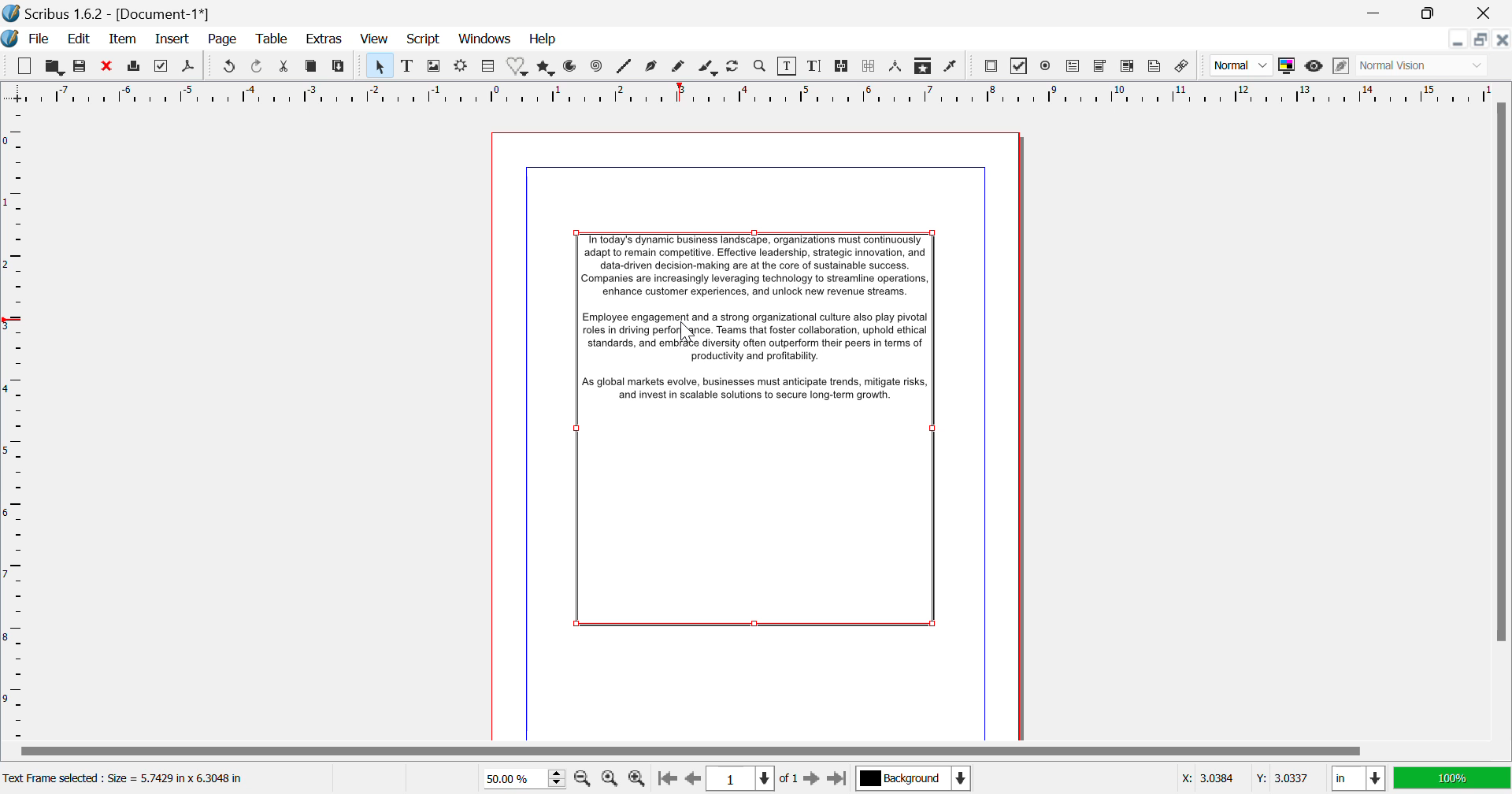 The image size is (1512, 794). What do you see at coordinates (55, 65) in the screenshot?
I see `Open to` at bounding box center [55, 65].